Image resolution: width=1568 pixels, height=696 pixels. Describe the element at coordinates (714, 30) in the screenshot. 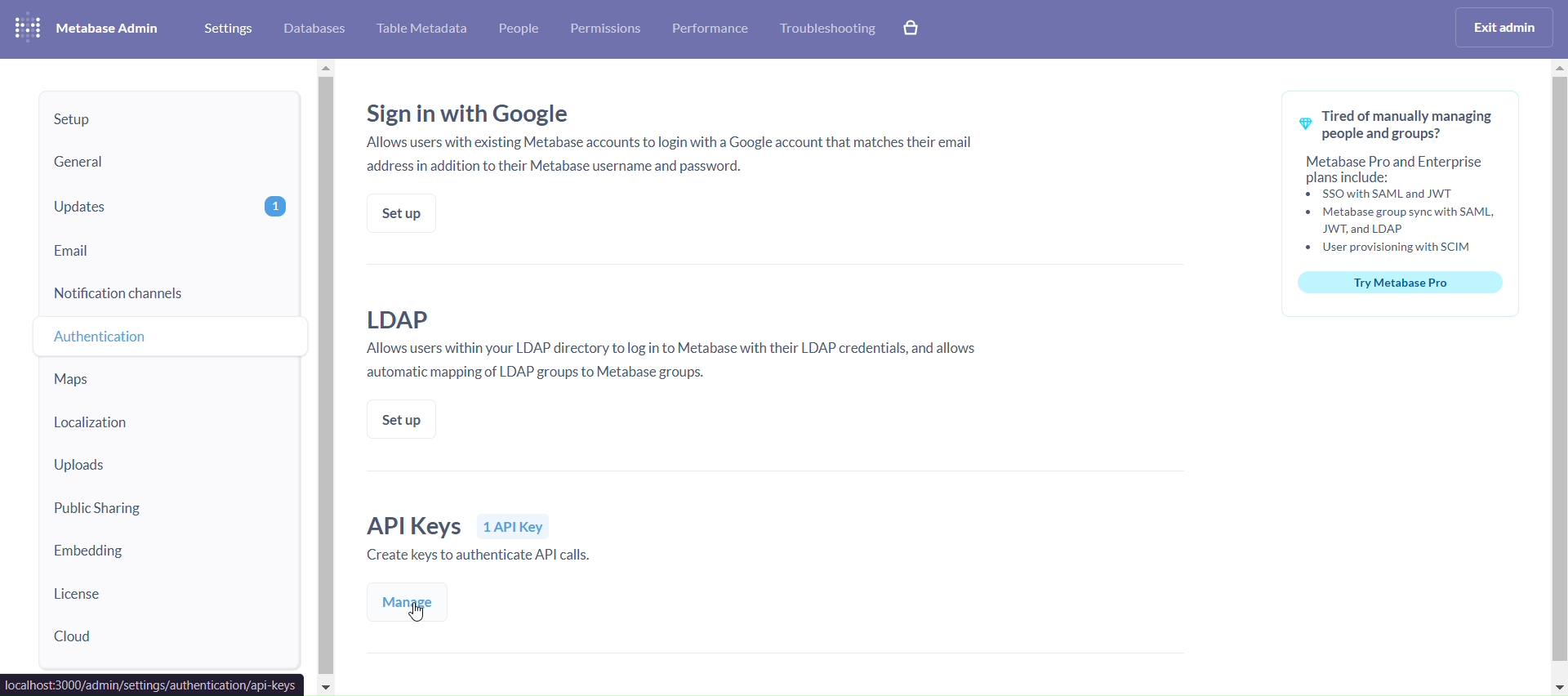

I see `performance` at that location.